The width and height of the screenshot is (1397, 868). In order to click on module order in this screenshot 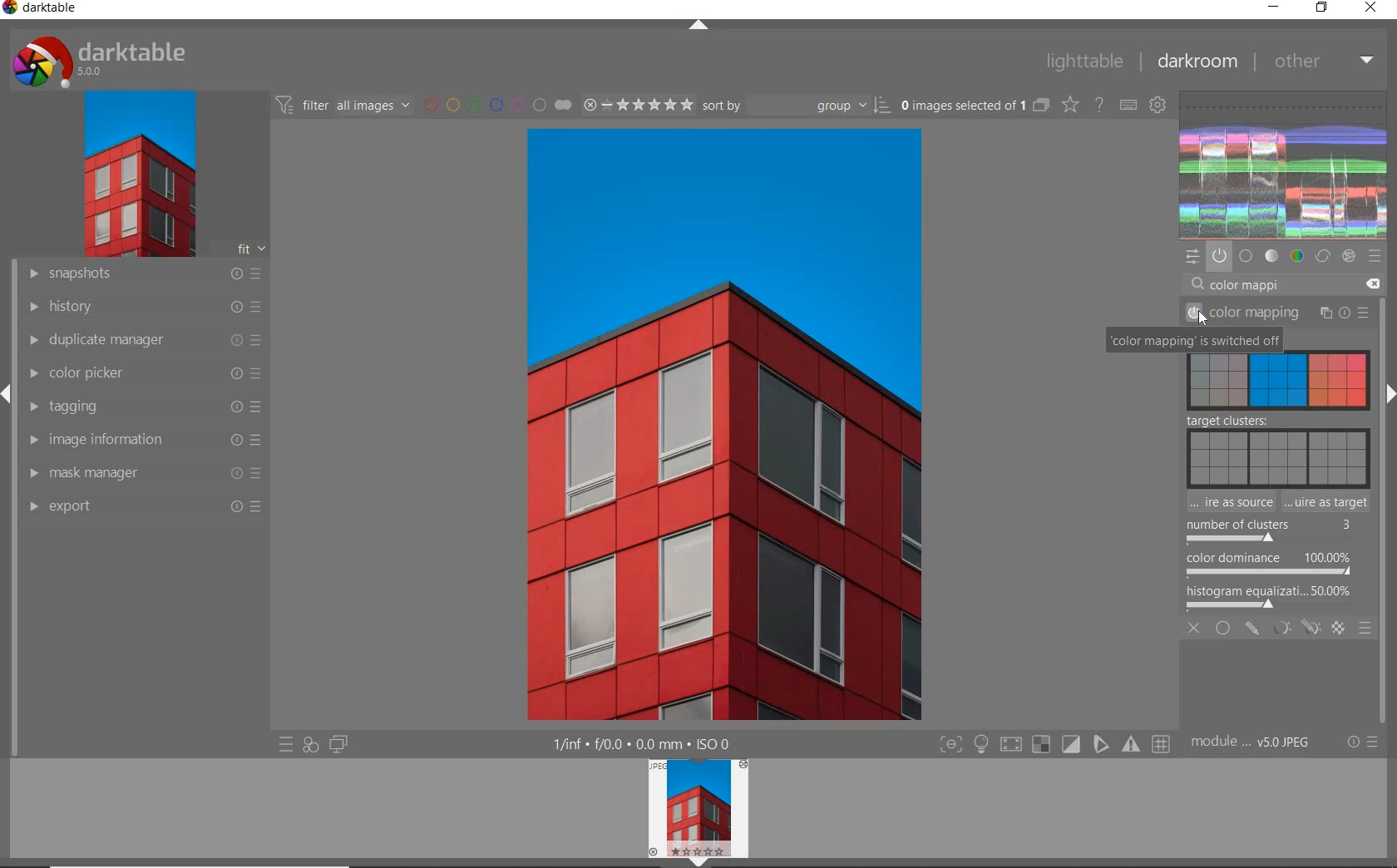, I will do `click(1252, 742)`.